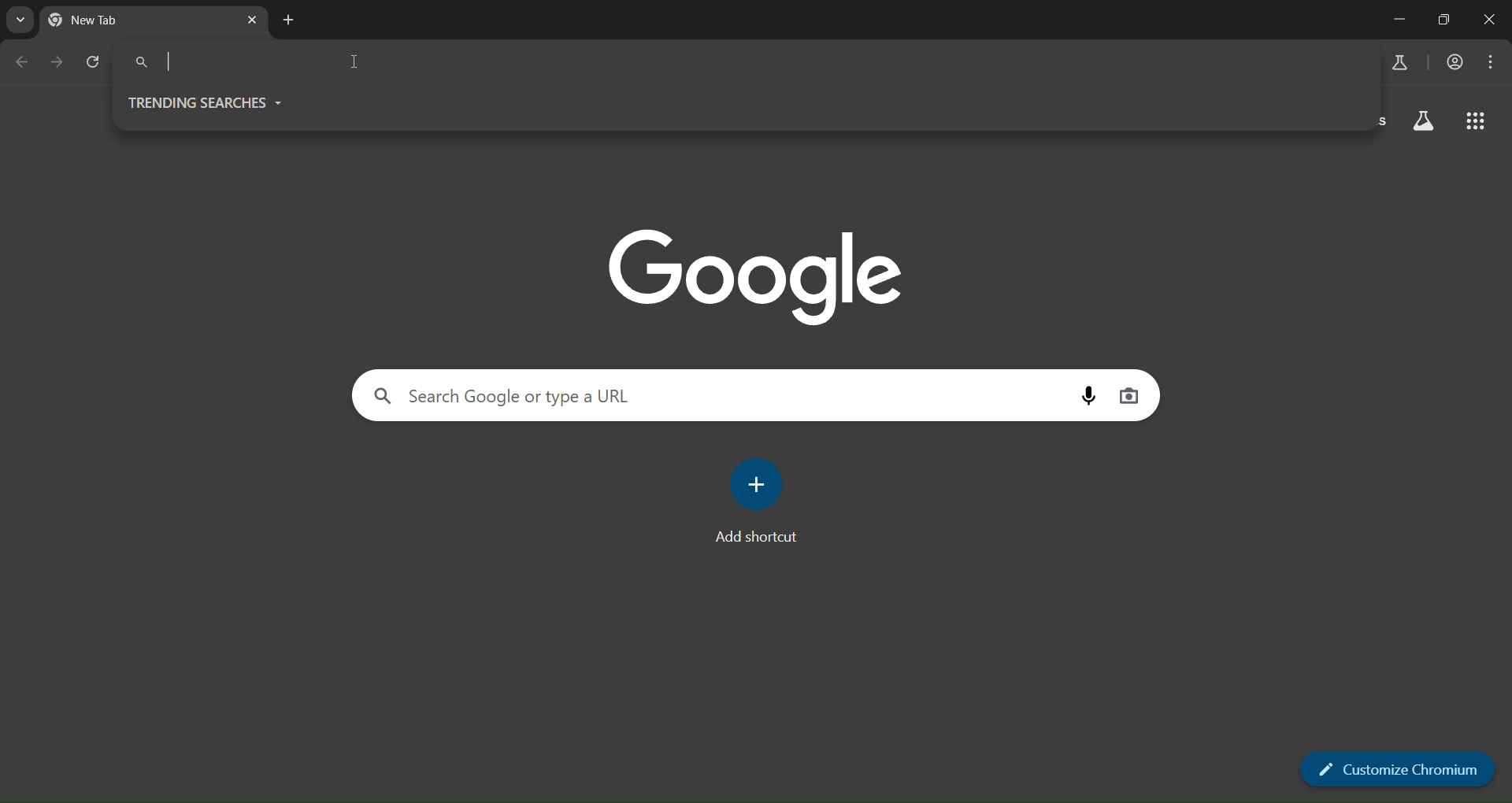 This screenshot has height=803, width=1512. I want to click on Search Google or type a URL, so click(547, 397).